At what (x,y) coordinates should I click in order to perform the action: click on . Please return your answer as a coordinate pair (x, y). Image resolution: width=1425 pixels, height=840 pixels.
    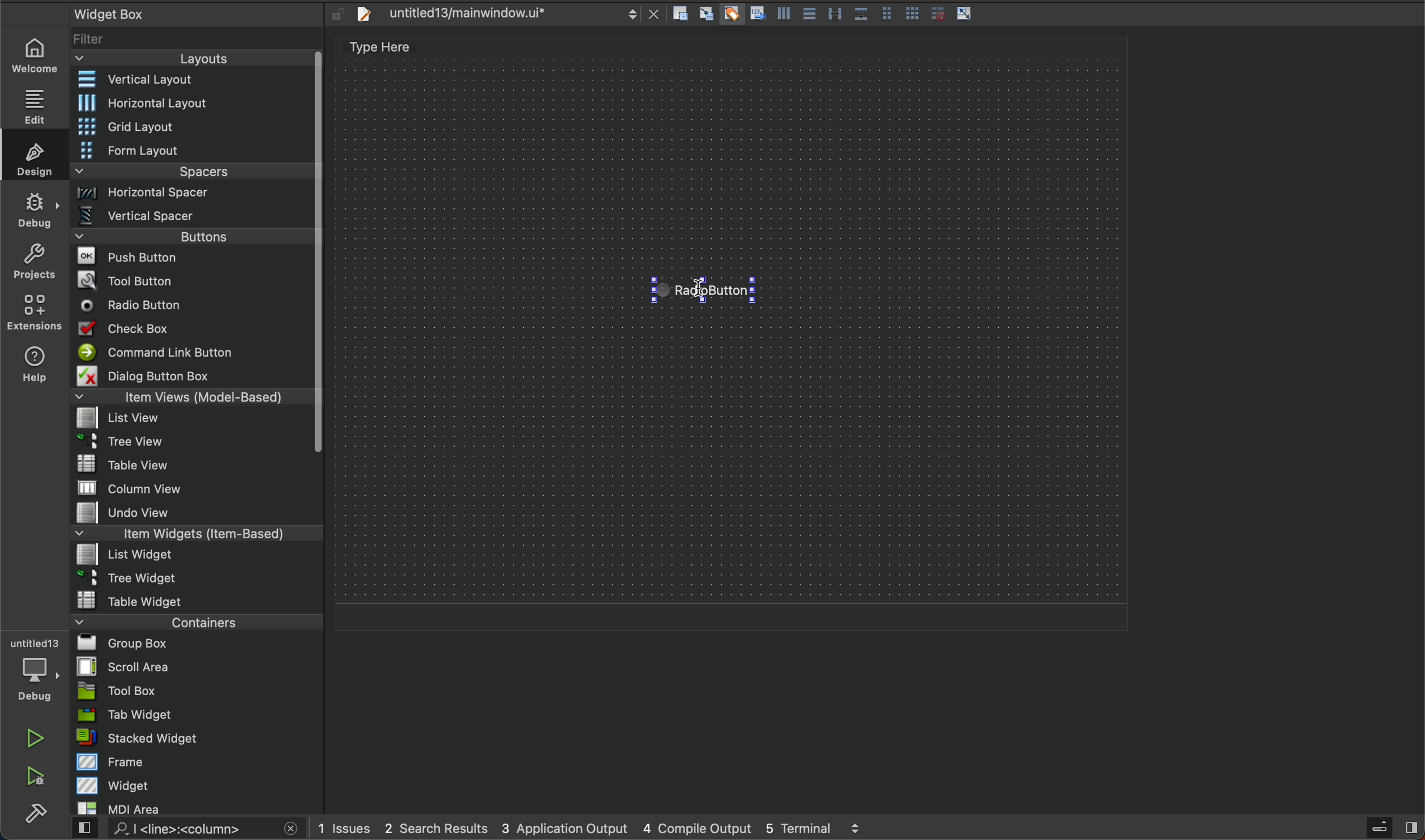
    Looking at the image, I should click on (935, 14).